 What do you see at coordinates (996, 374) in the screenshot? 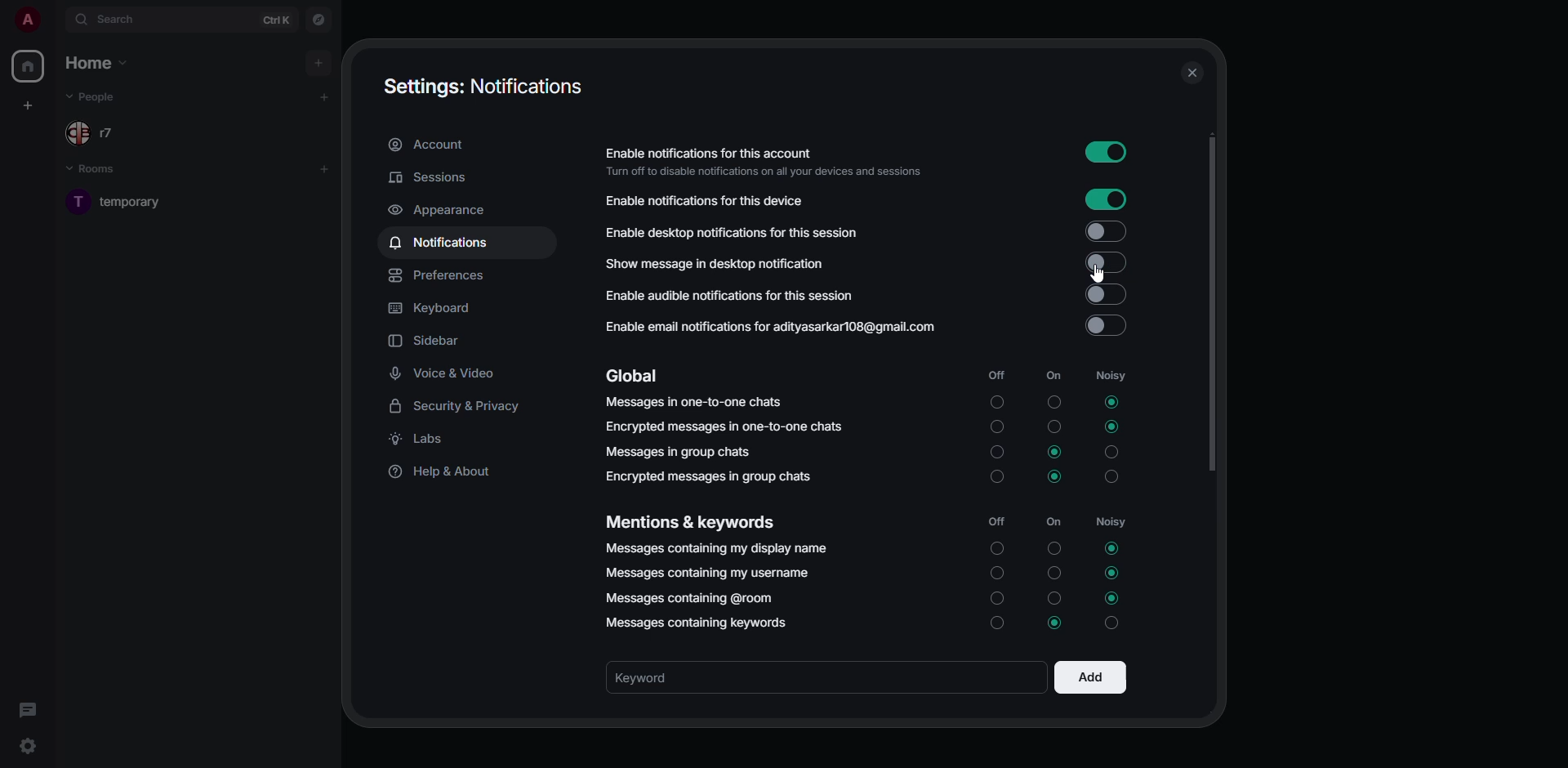
I see `off` at bounding box center [996, 374].